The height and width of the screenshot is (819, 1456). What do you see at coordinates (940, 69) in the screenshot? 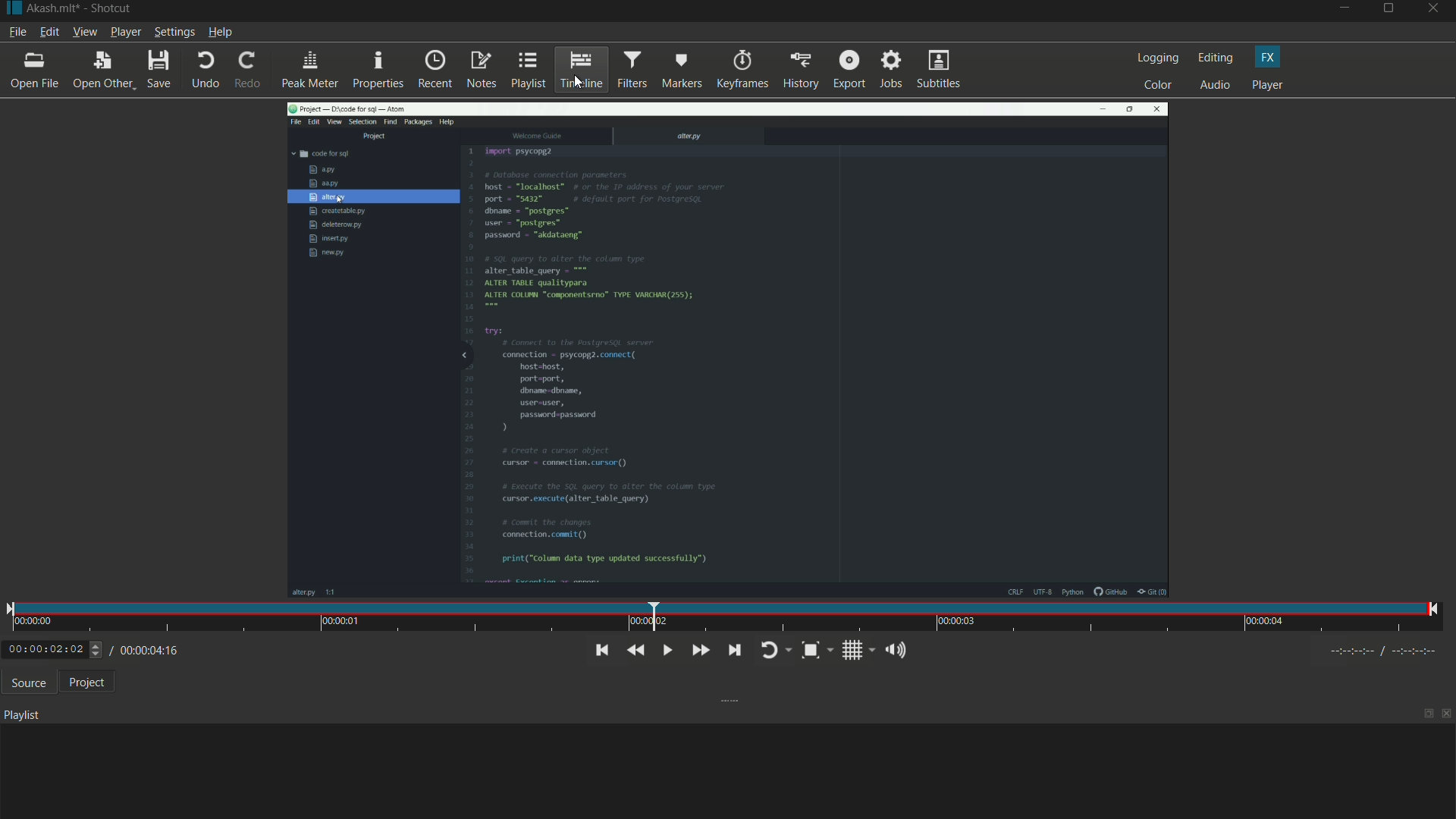
I see `subtitles` at bounding box center [940, 69].